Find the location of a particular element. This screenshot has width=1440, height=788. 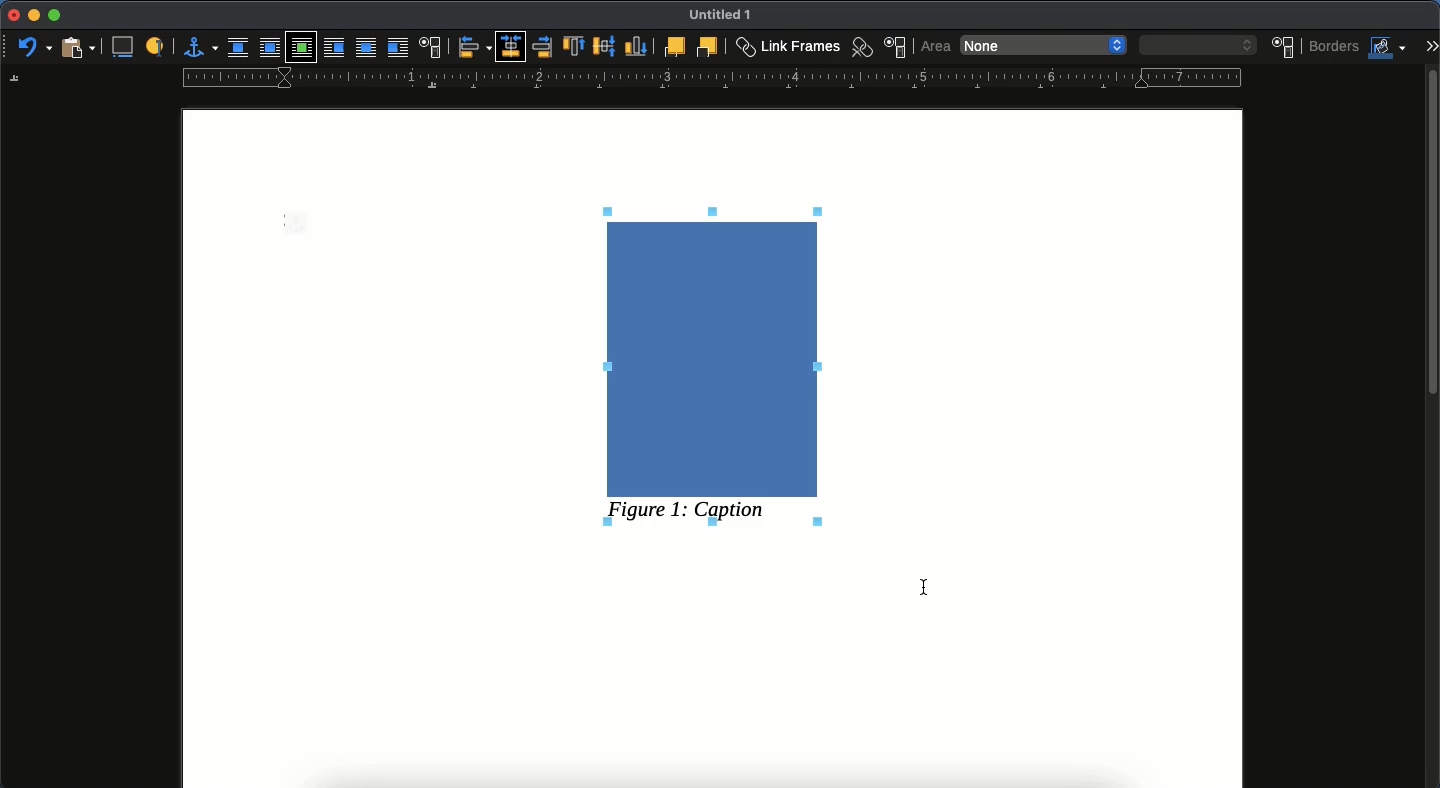

anchor for object is located at coordinates (198, 47).